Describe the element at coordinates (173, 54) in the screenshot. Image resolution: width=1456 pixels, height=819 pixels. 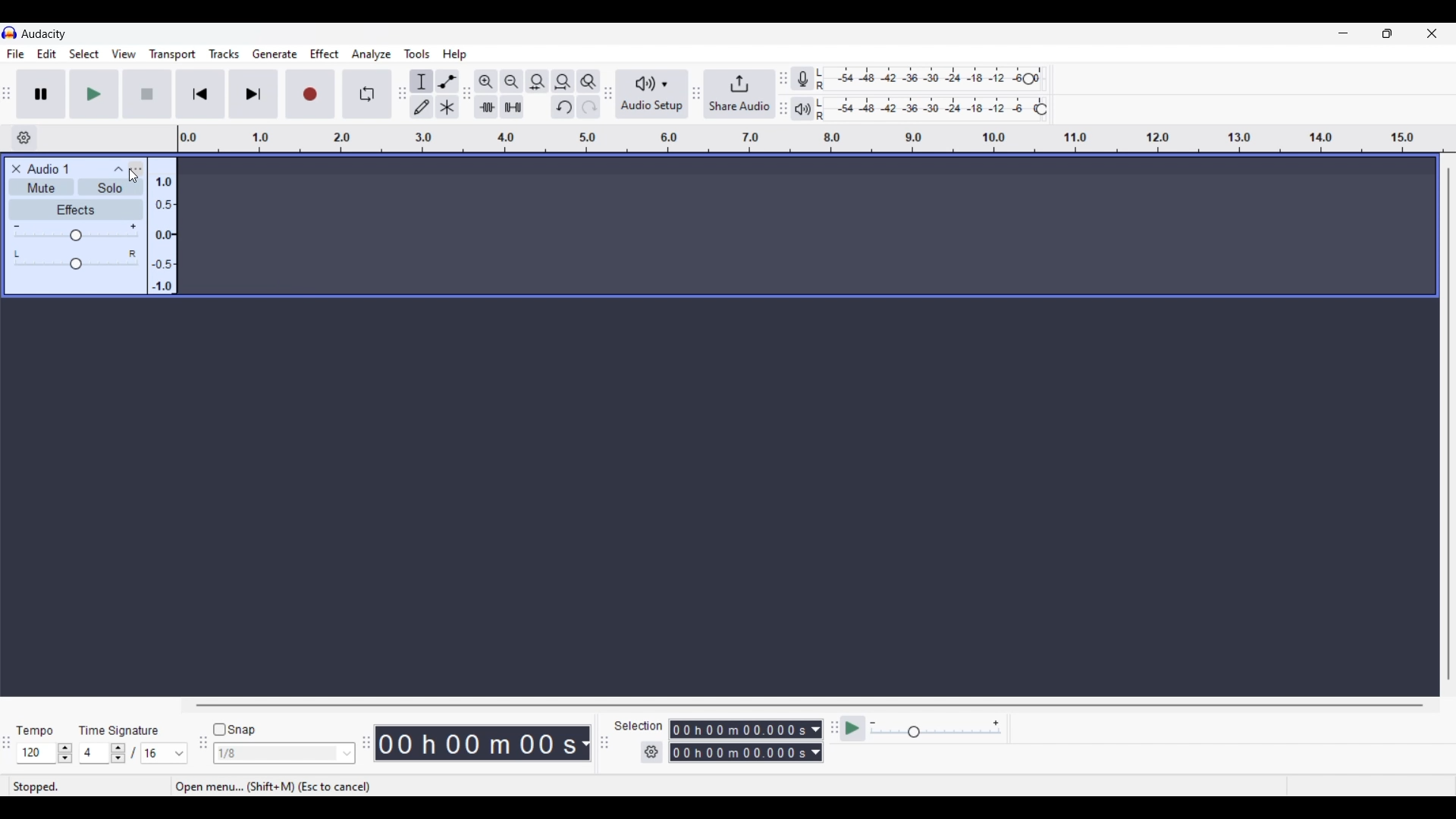
I see `Transport menu` at that location.